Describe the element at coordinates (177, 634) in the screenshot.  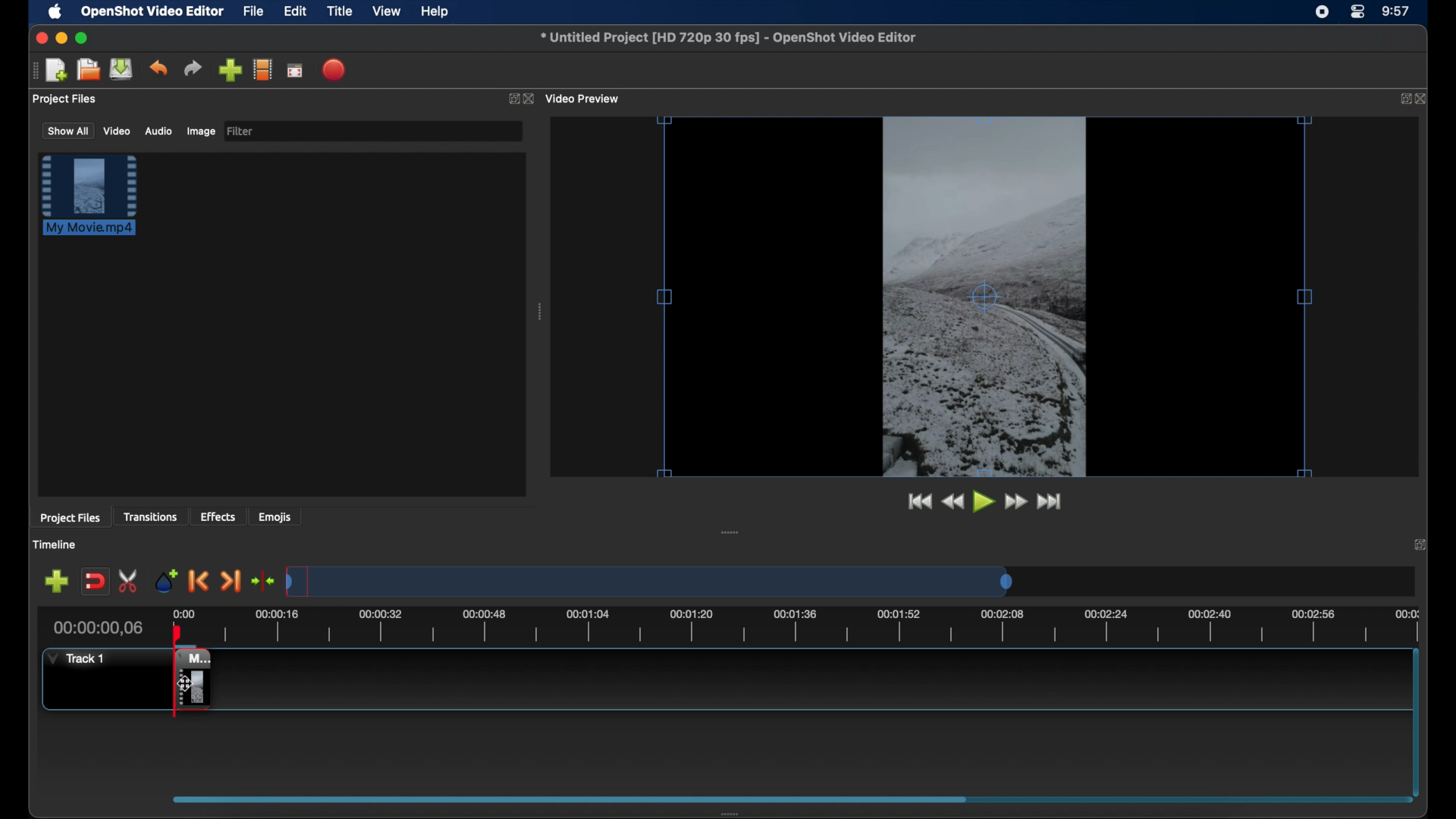
I see `playhead` at that location.